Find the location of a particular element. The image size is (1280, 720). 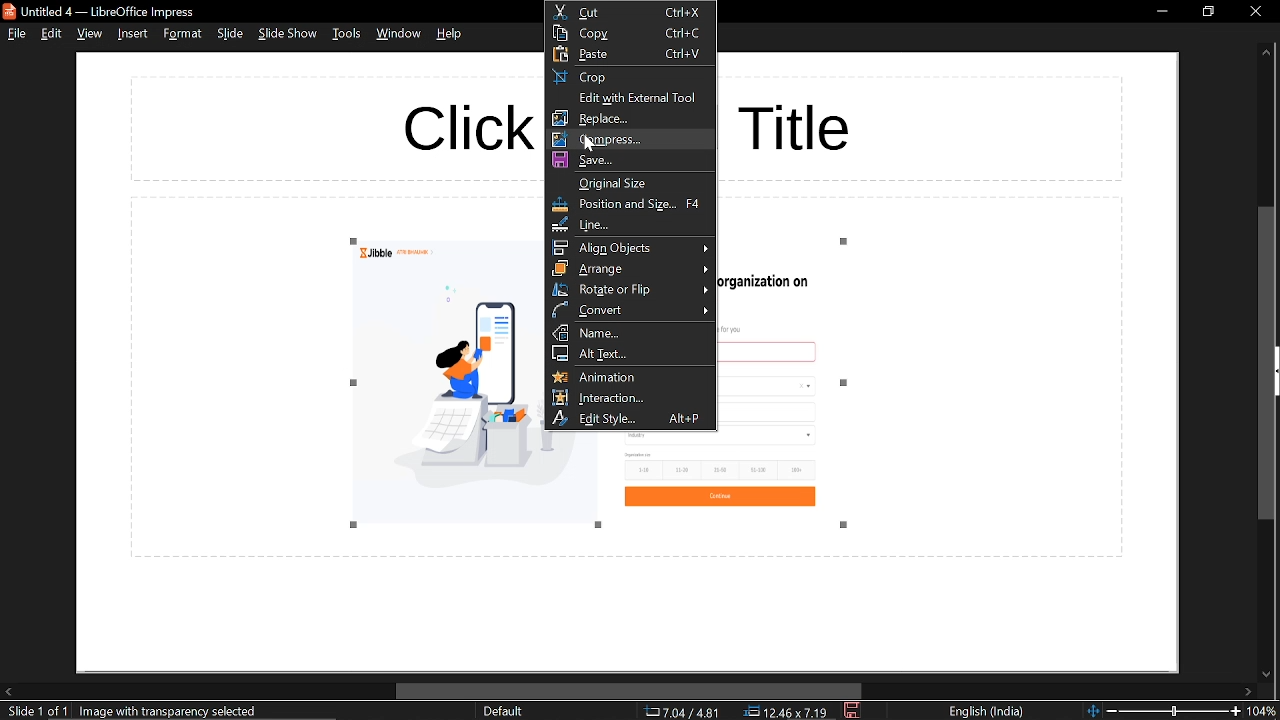

ctrl+X is located at coordinates (685, 11).